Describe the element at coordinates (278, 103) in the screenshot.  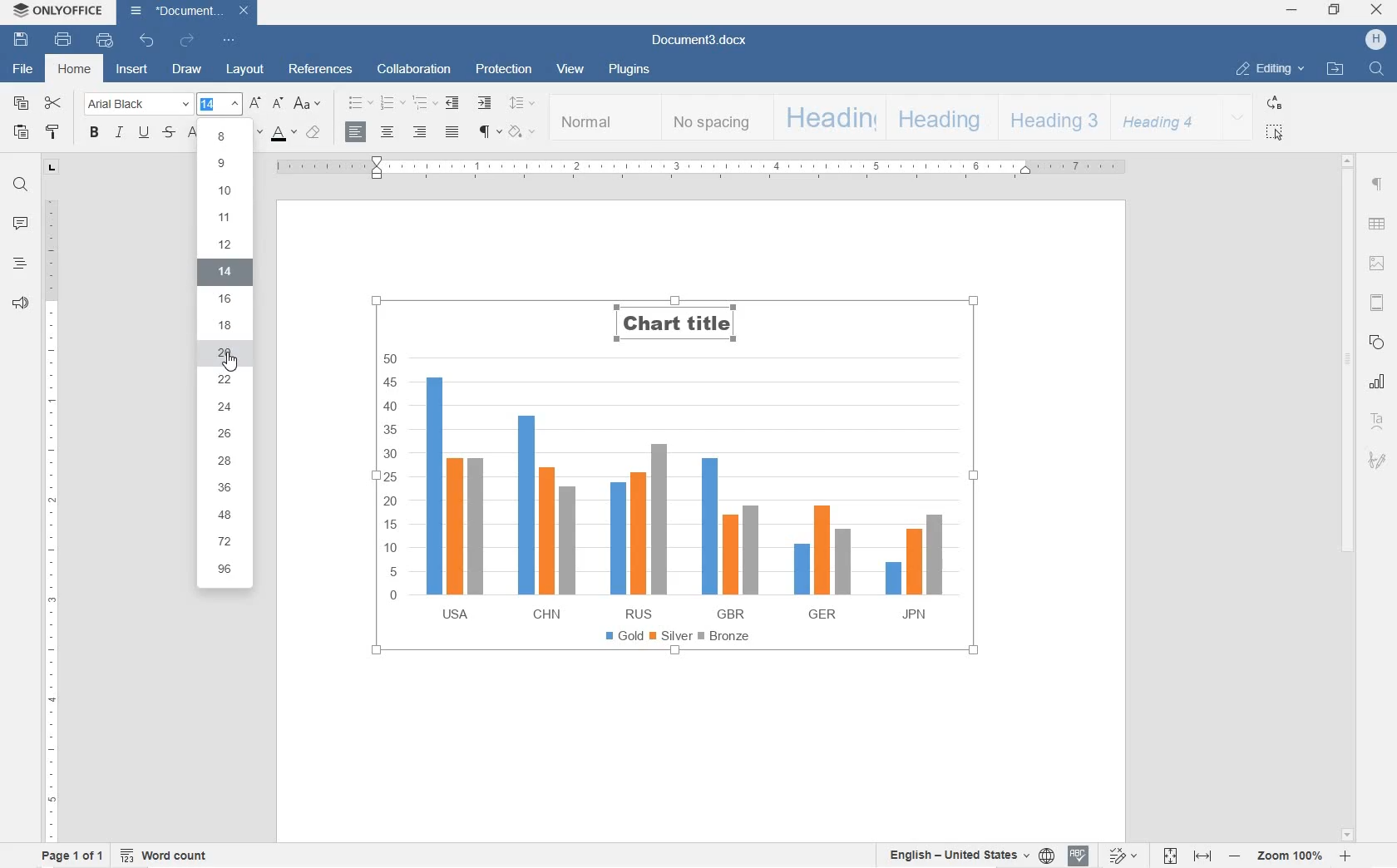
I see `DECREMENT FONT SIZE` at that location.